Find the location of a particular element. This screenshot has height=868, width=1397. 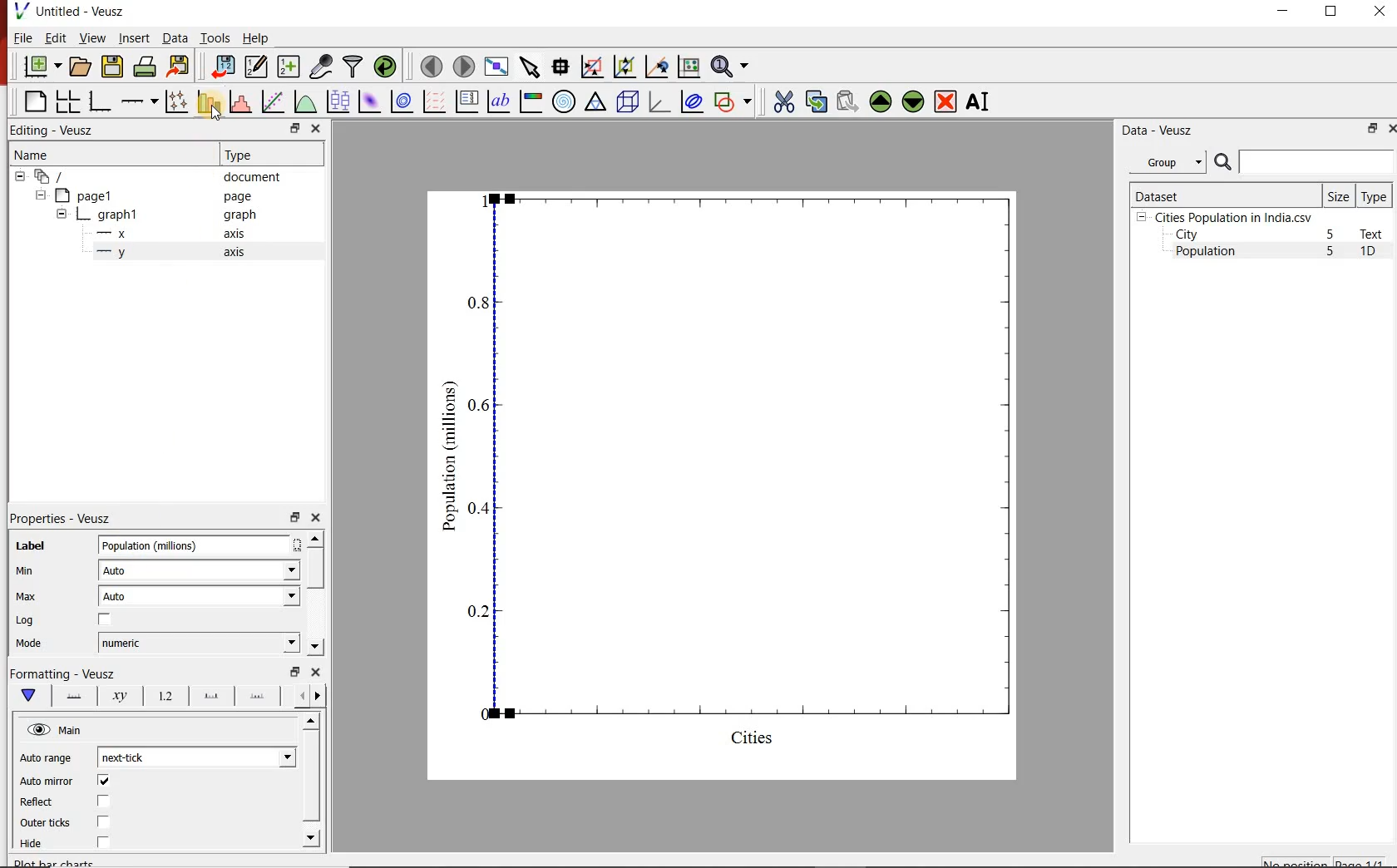

5 is located at coordinates (1331, 235).